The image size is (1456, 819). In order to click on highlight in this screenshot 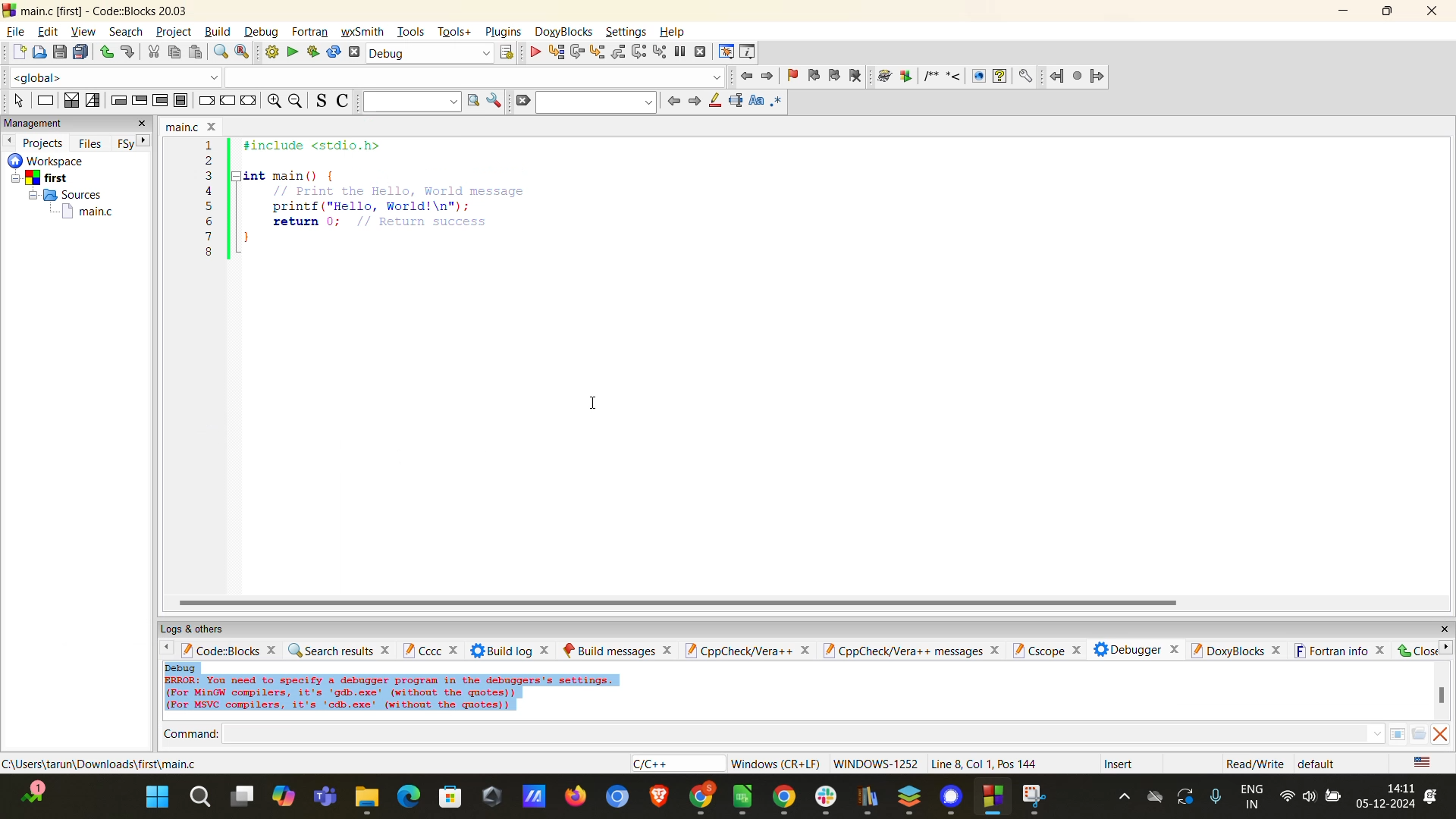, I will do `click(717, 105)`.